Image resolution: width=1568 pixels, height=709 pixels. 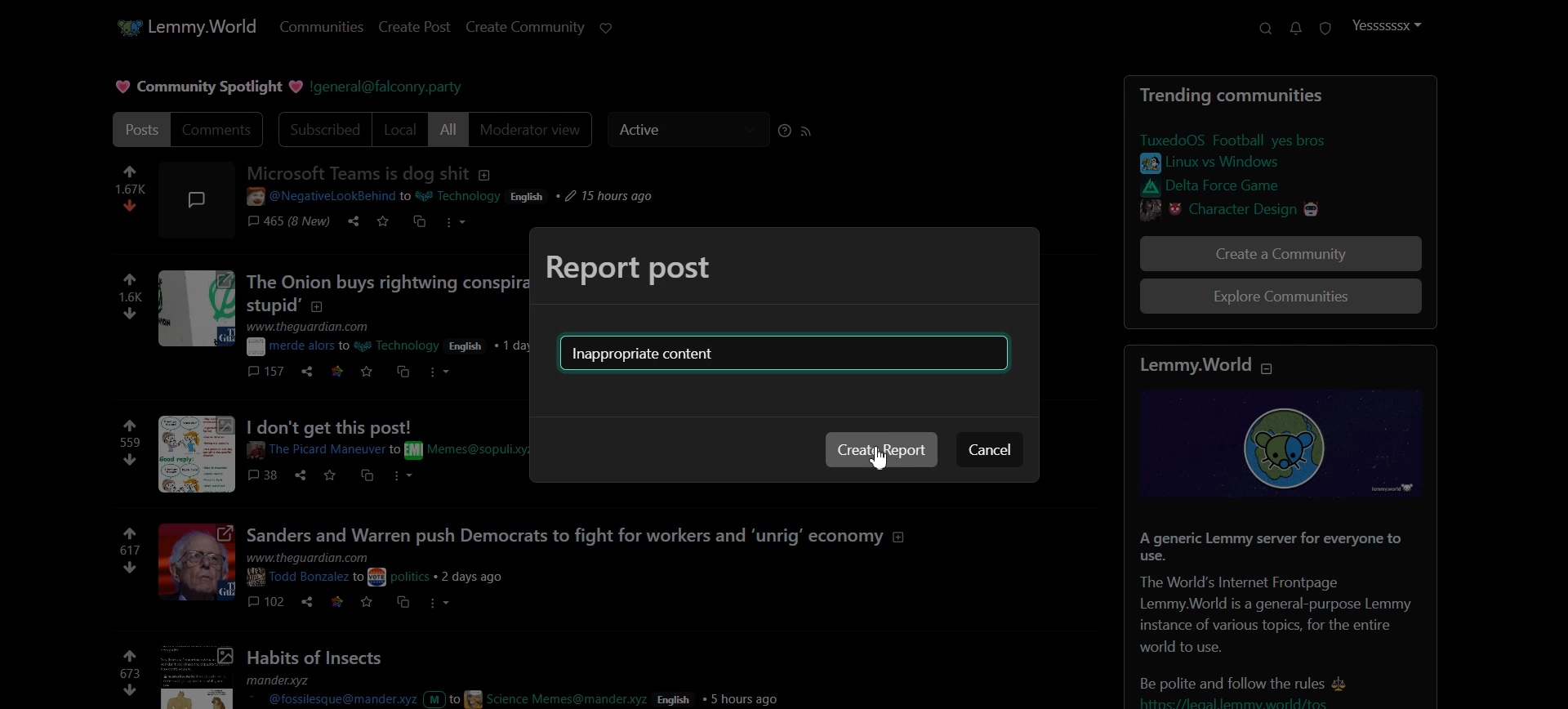 I want to click on more, so click(x=443, y=603).